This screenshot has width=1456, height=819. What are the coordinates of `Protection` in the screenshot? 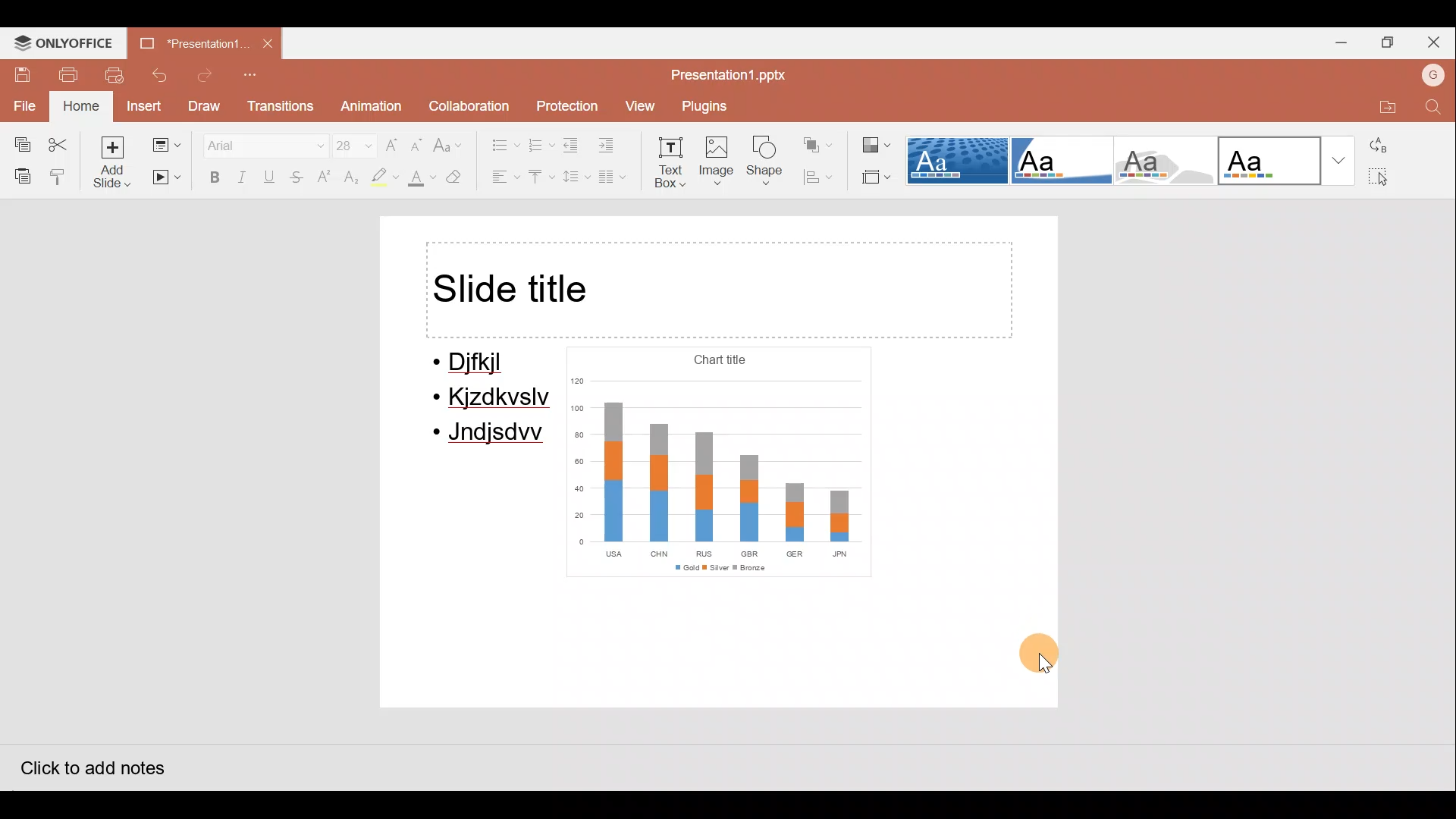 It's located at (567, 103).